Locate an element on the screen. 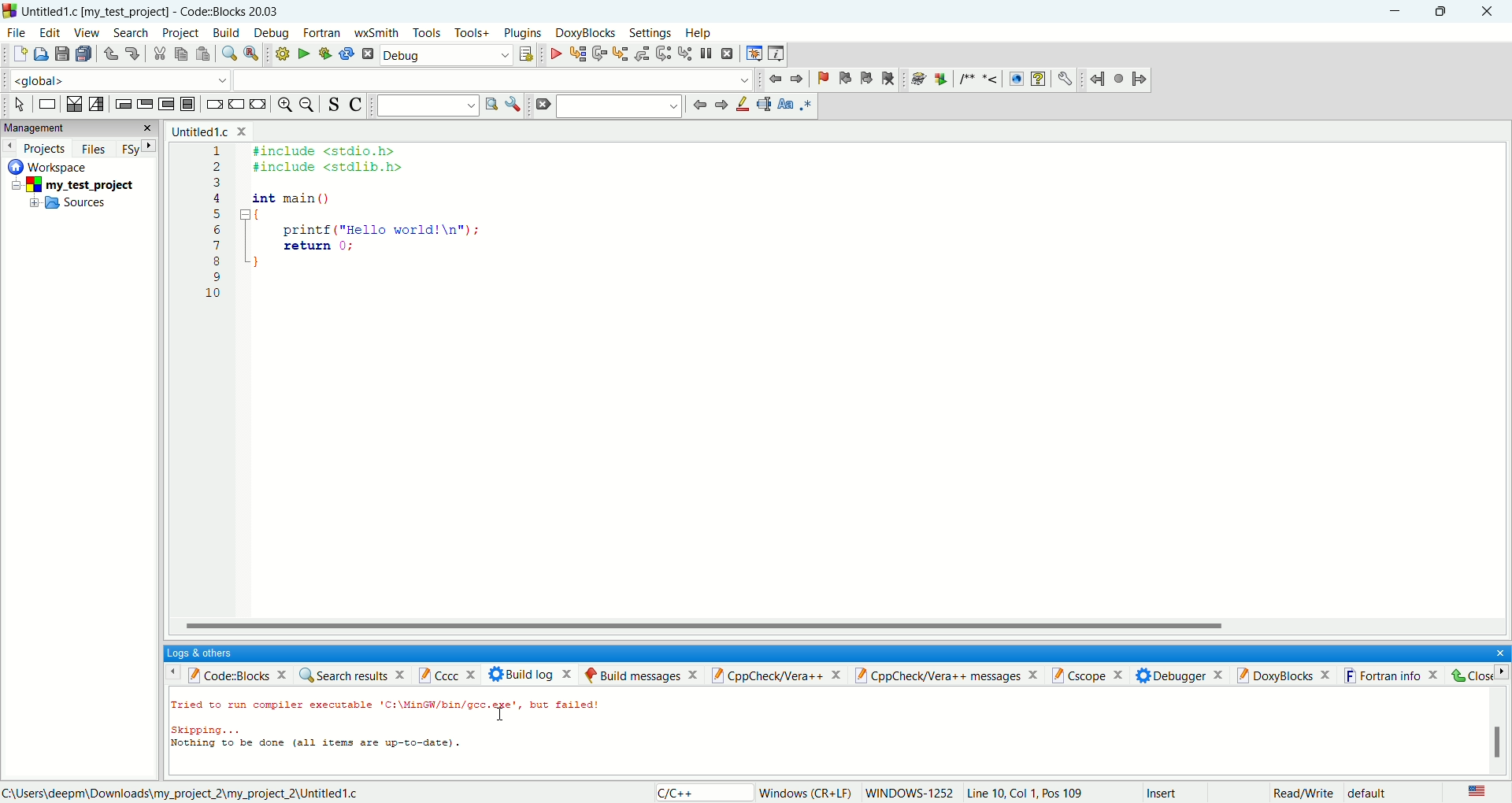  logs and others is located at coordinates (209, 653).